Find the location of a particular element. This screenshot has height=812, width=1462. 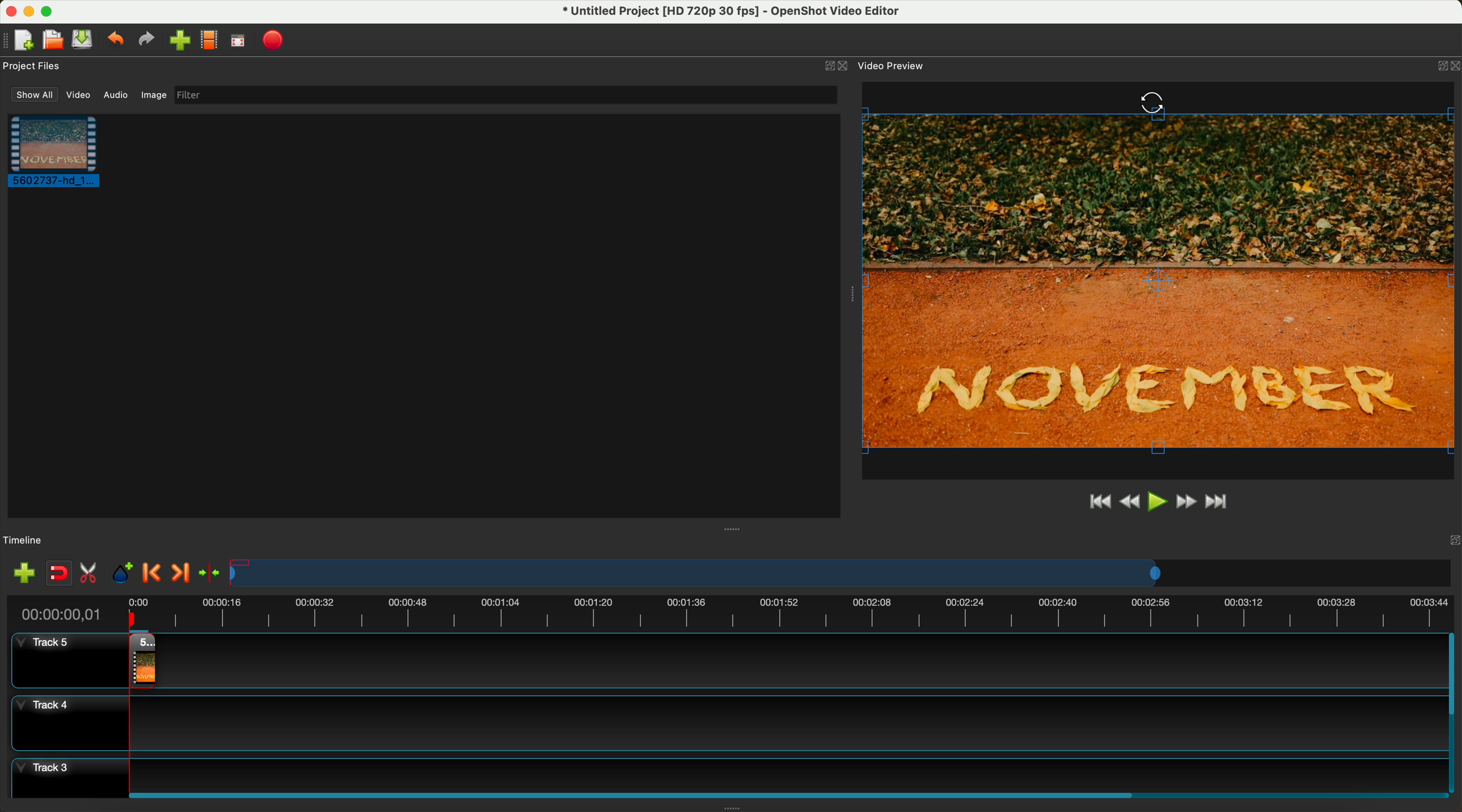

fast foward is located at coordinates (1186, 501).